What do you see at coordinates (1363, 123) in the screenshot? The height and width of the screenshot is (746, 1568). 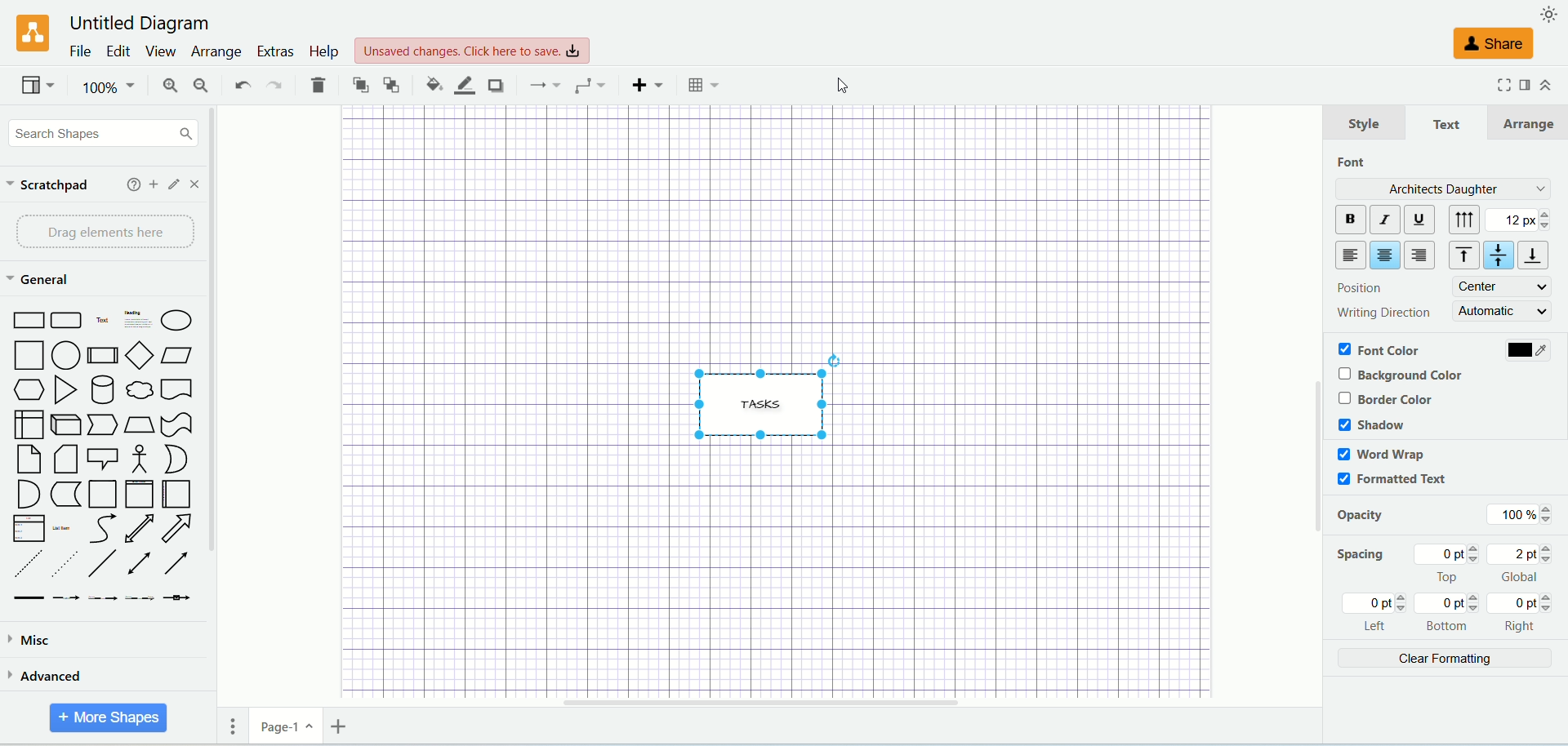 I see `style` at bounding box center [1363, 123].